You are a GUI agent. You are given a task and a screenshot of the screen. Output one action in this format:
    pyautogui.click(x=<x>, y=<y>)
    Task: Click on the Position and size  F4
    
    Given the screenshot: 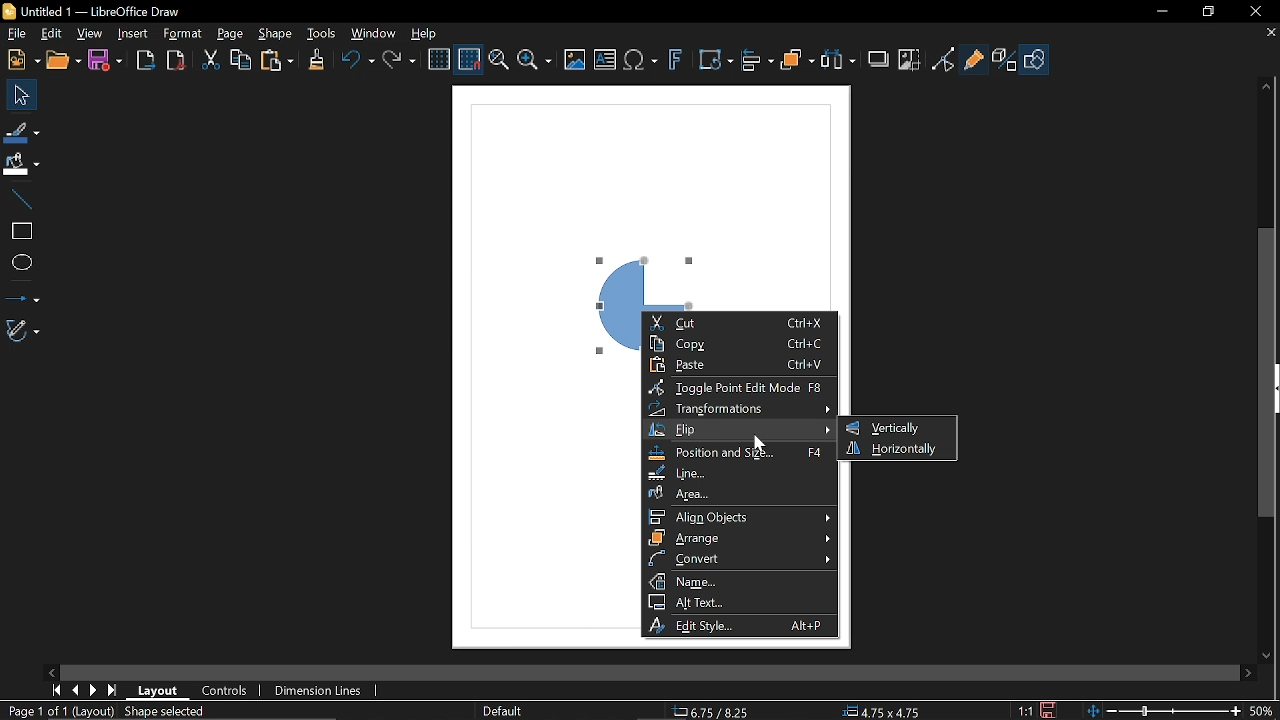 What is the action you would take?
    pyautogui.click(x=742, y=454)
    